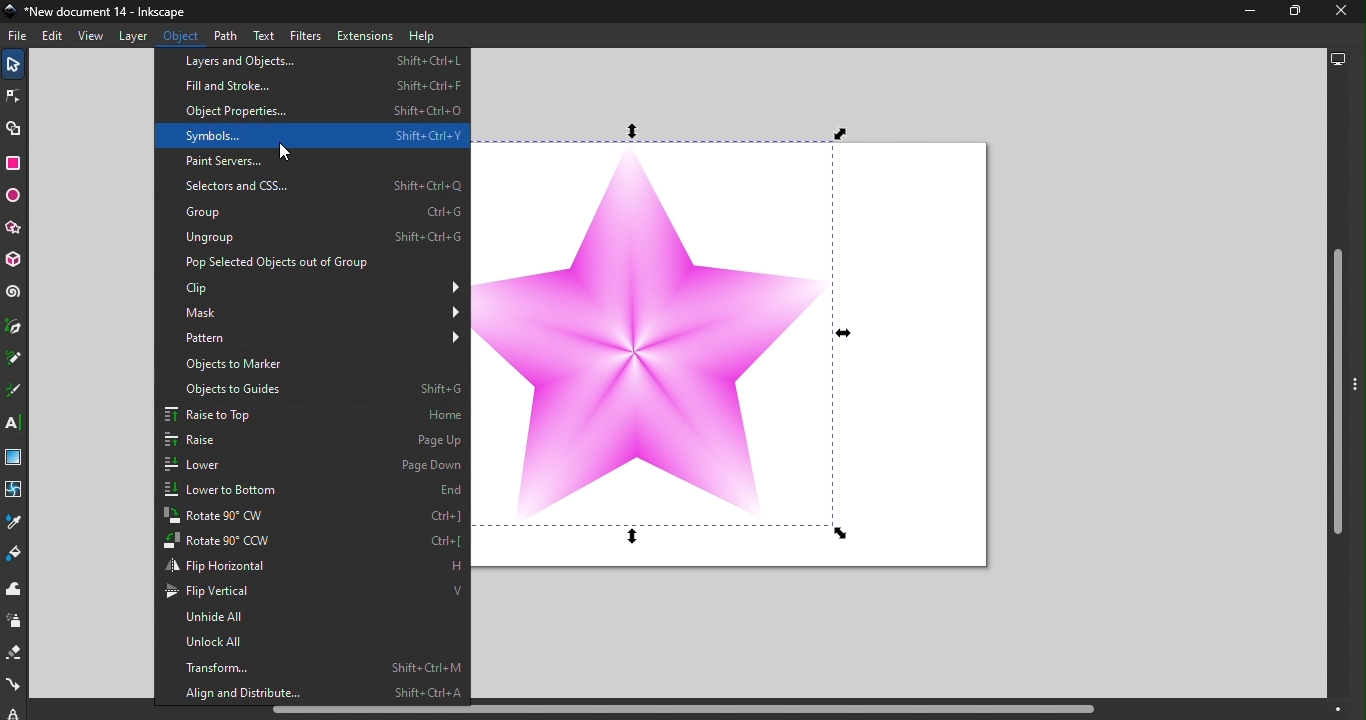 The width and height of the screenshot is (1366, 720). Describe the element at coordinates (101, 11) in the screenshot. I see `Document name` at that location.